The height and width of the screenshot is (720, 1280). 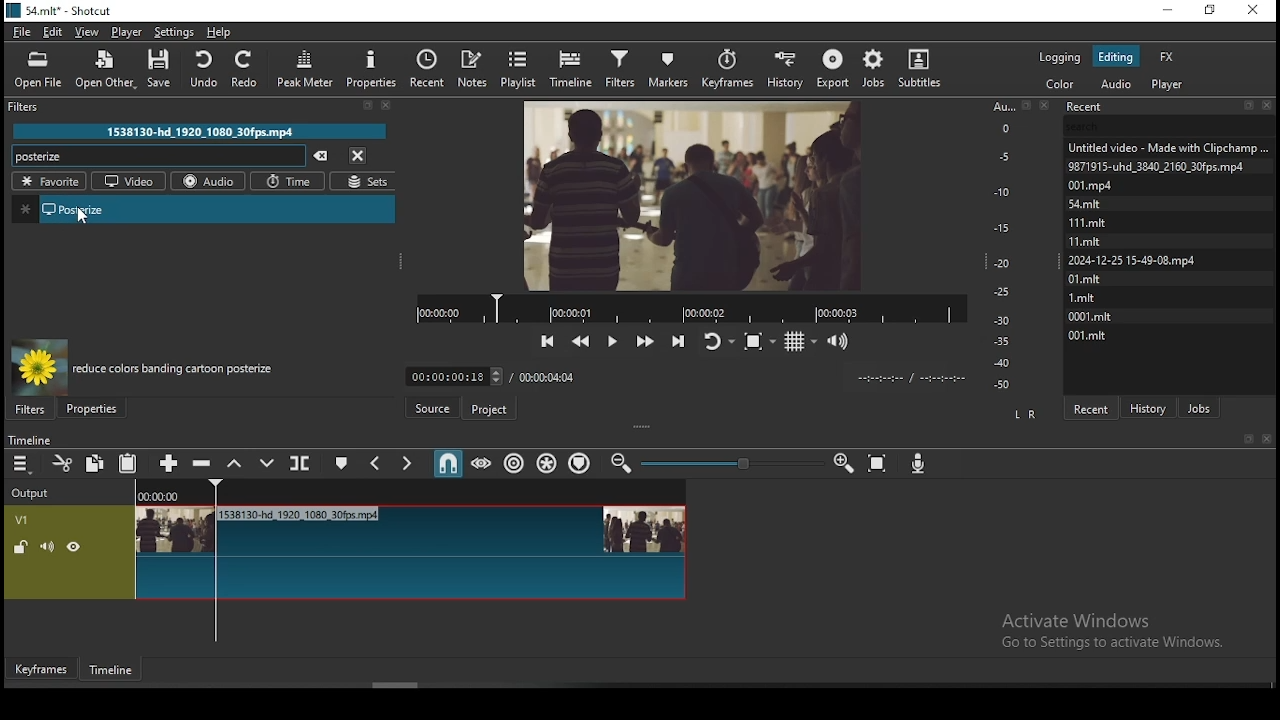 I want to click on ripple all tracks, so click(x=543, y=463).